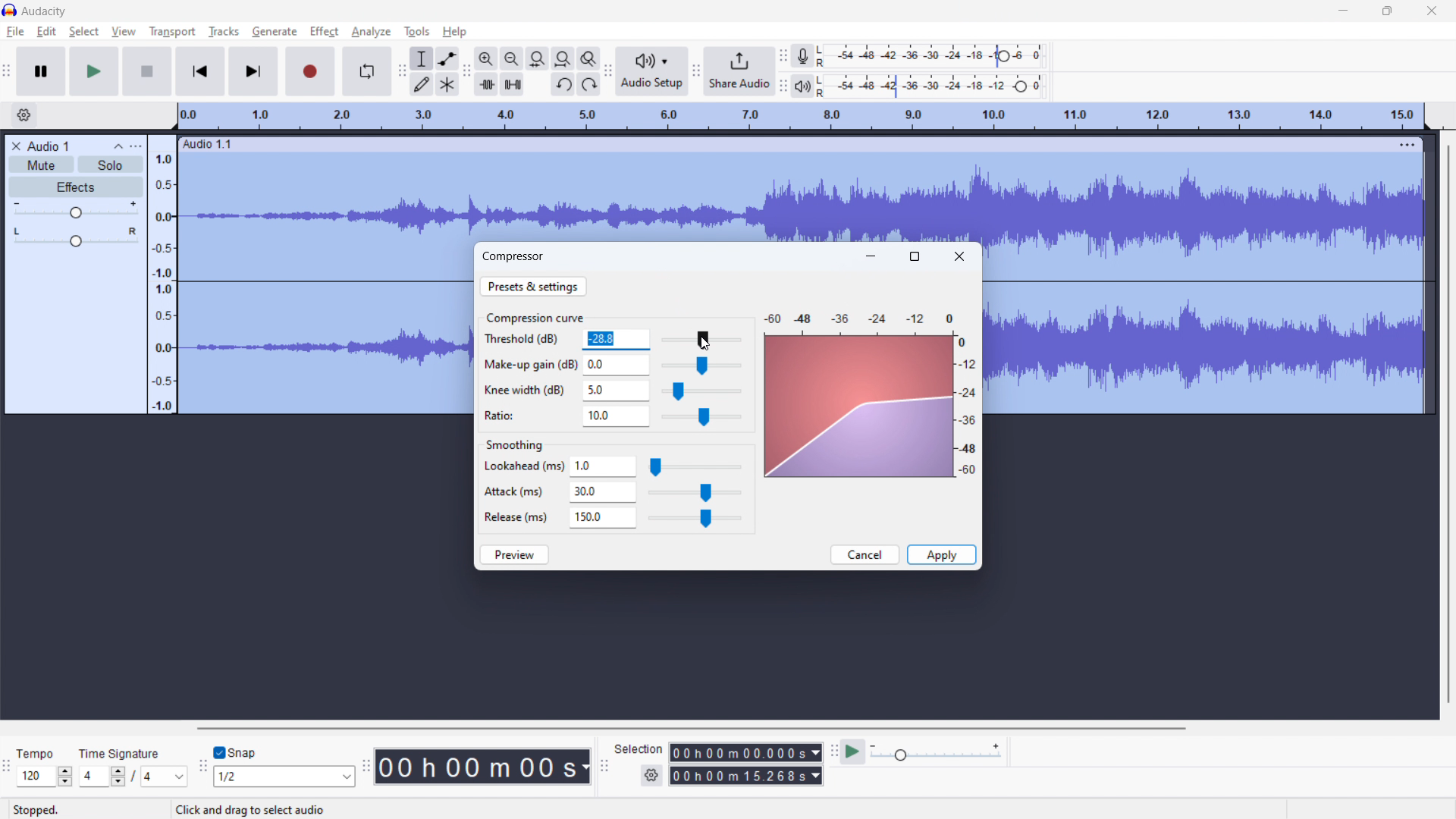  Describe the element at coordinates (617, 363) in the screenshot. I see `0.0` at that location.